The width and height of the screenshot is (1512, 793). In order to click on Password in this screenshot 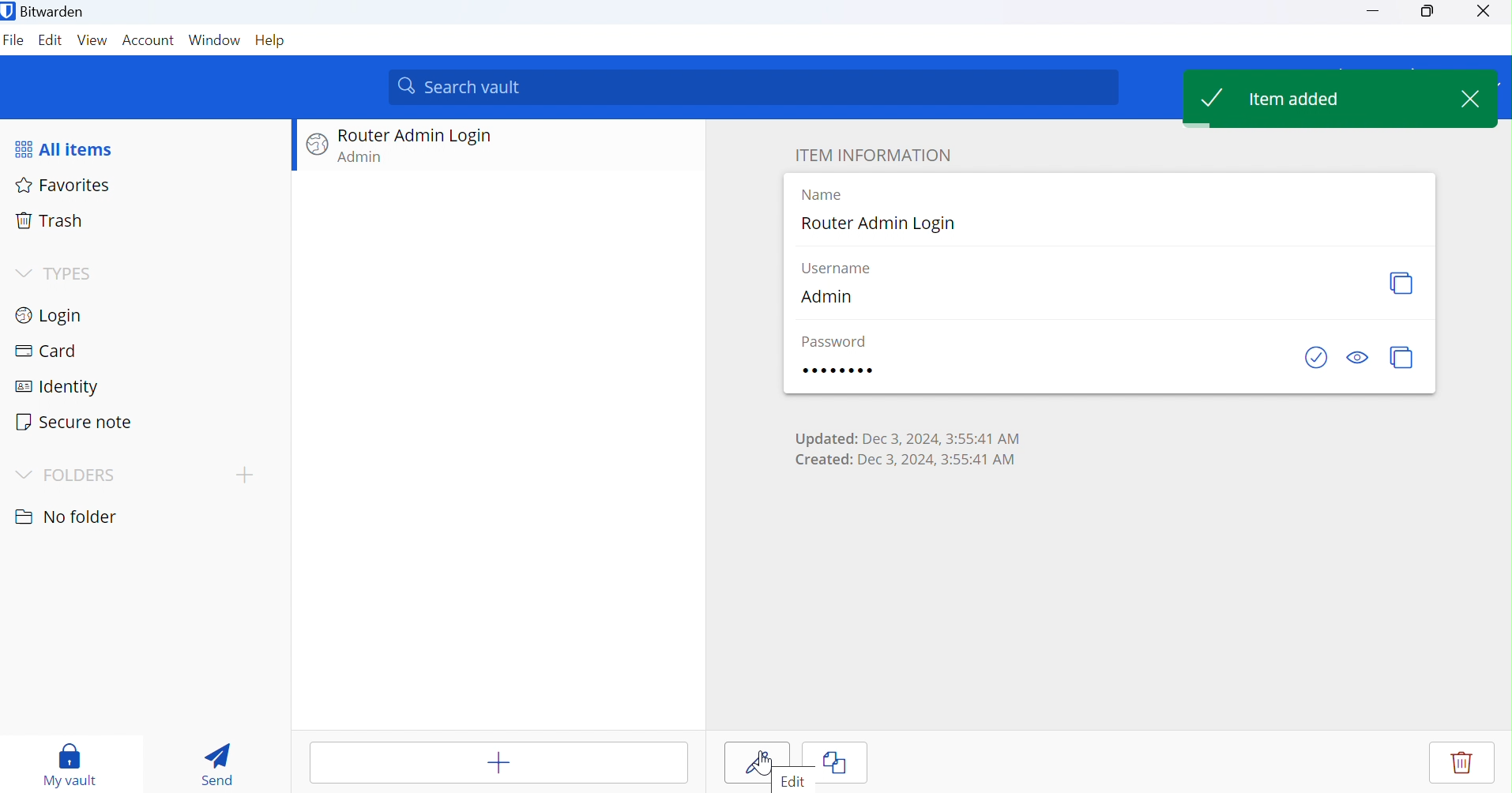, I will do `click(832, 339)`.